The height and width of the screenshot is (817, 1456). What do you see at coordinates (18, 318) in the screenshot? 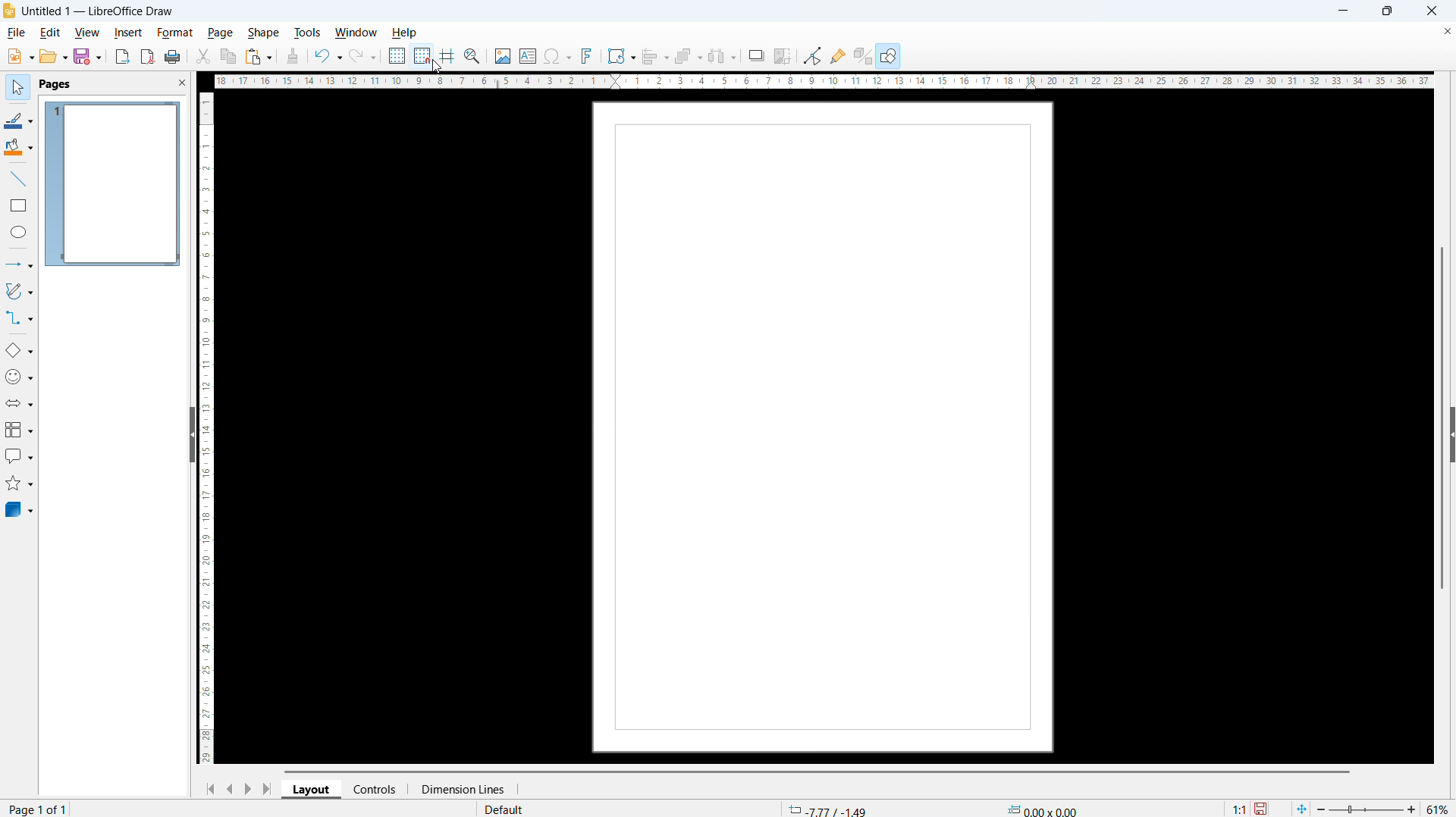
I see `connectors` at bounding box center [18, 318].